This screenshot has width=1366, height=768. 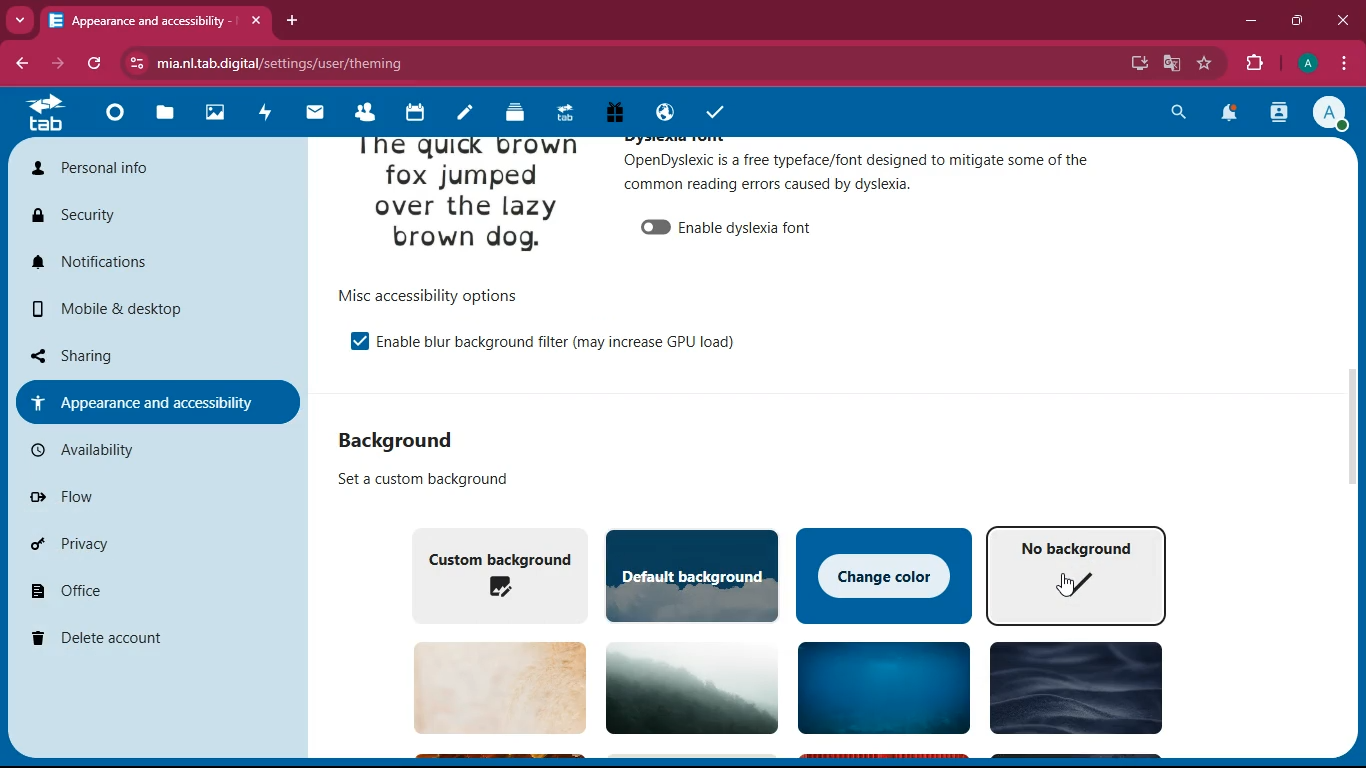 What do you see at coordinates (160, 115) in the screenshot?
I see `files` at bounding box center [160, 115].